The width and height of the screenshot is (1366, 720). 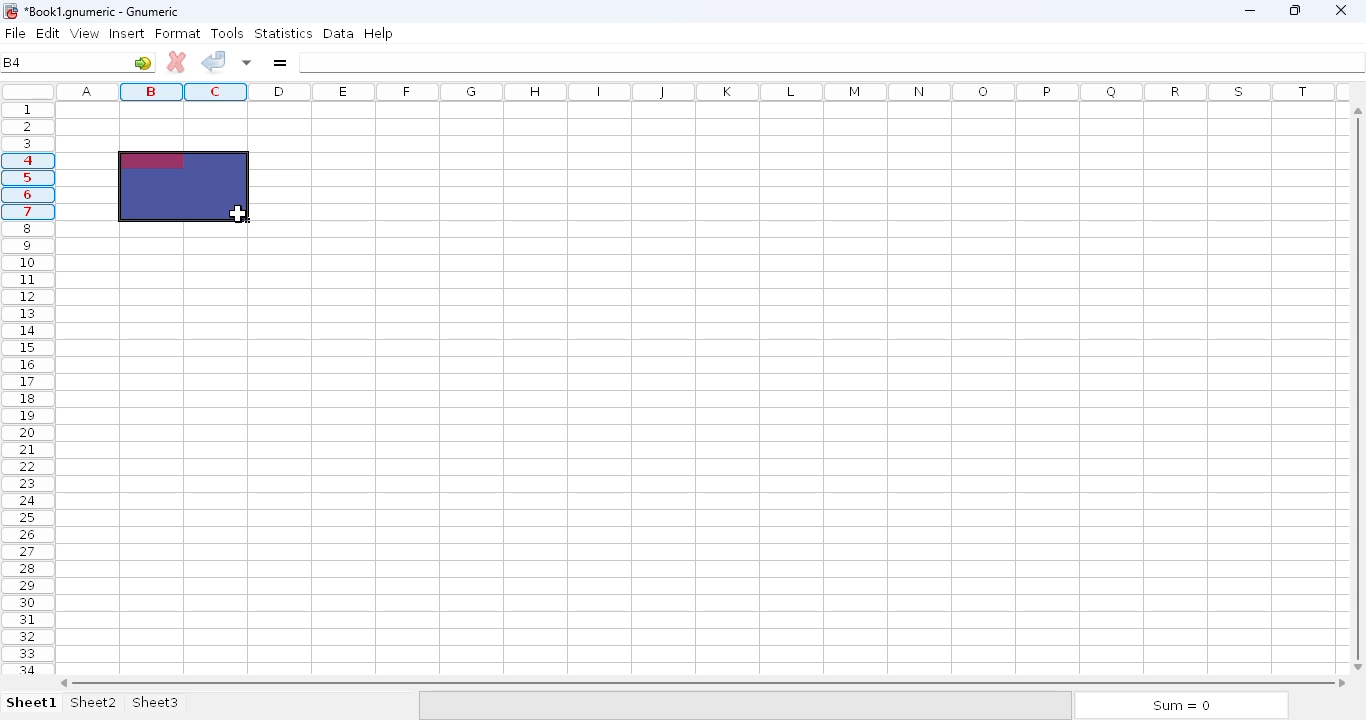 I want to click on insert, so click(x=126, y=33).